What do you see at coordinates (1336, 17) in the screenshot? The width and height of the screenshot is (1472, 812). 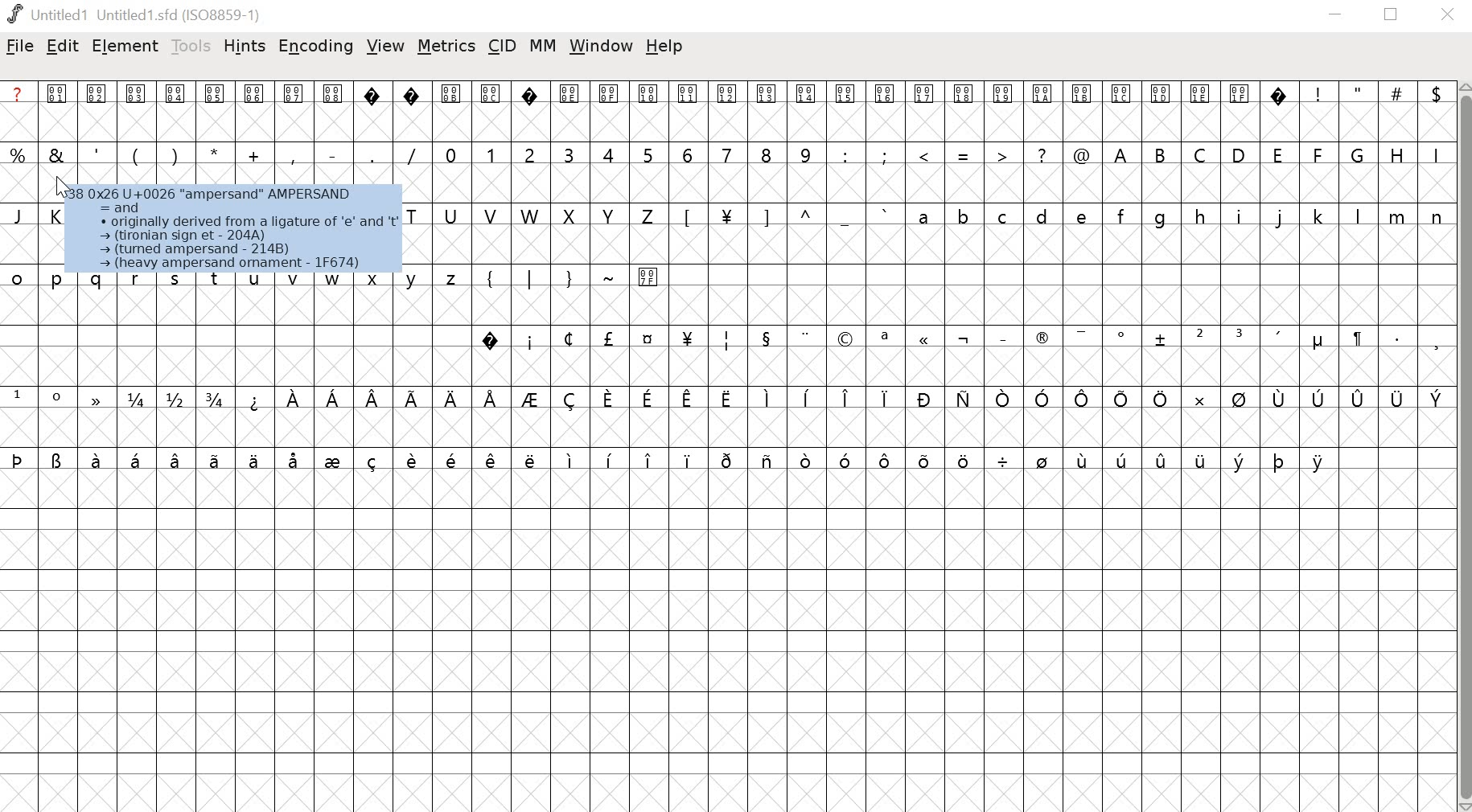 I see `minimize` at bounding box center [1336, 17].